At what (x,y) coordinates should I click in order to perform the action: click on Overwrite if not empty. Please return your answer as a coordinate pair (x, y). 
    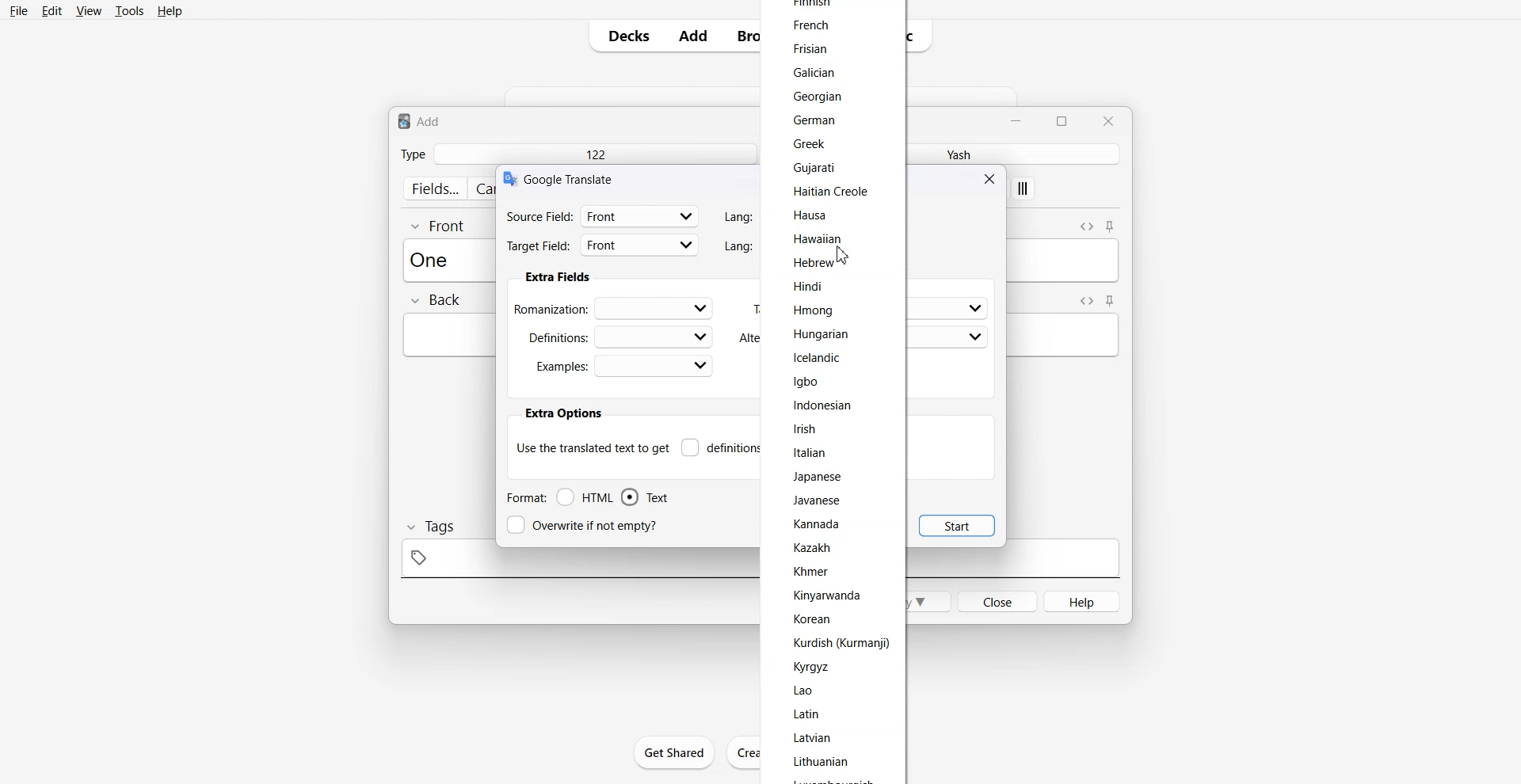
    Looking at the image, I should click on (585, 525).